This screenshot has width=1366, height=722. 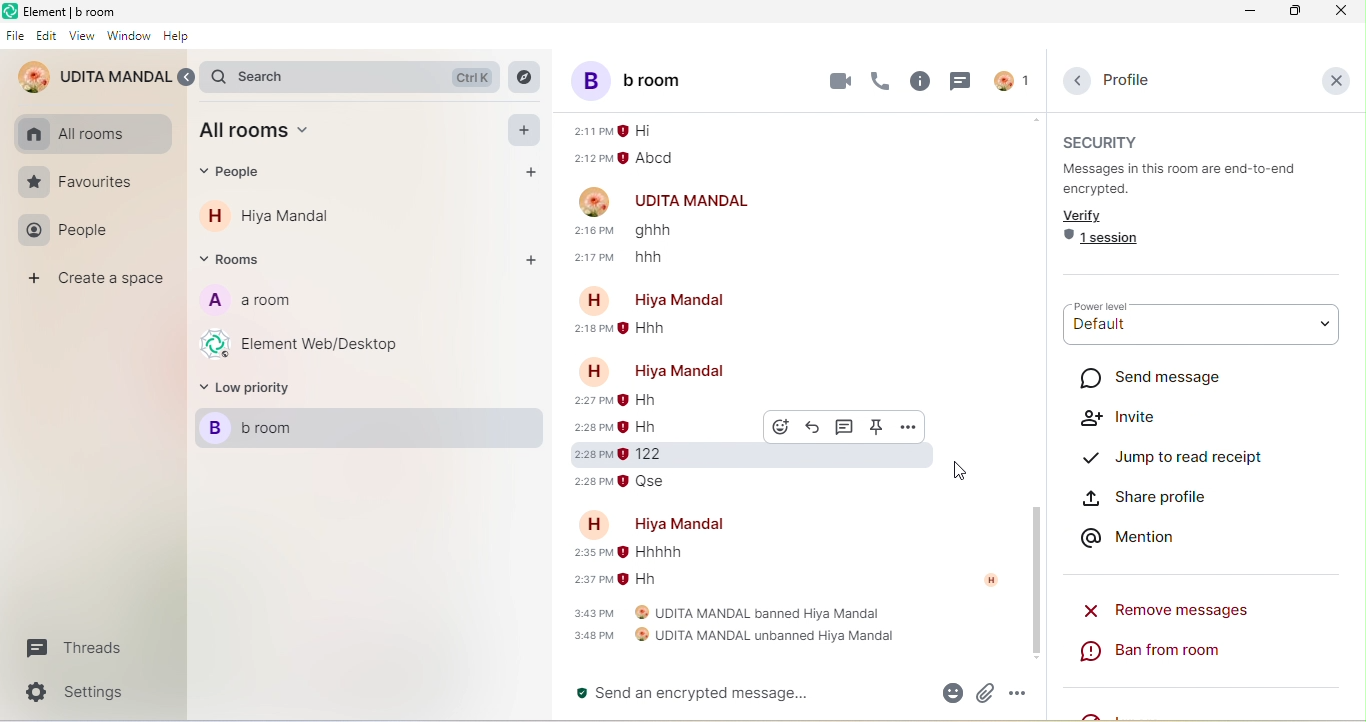 What do you see at coordinates (76, 134) in the screenshot?
I see `all rooms` at bounding box center [76, 134].